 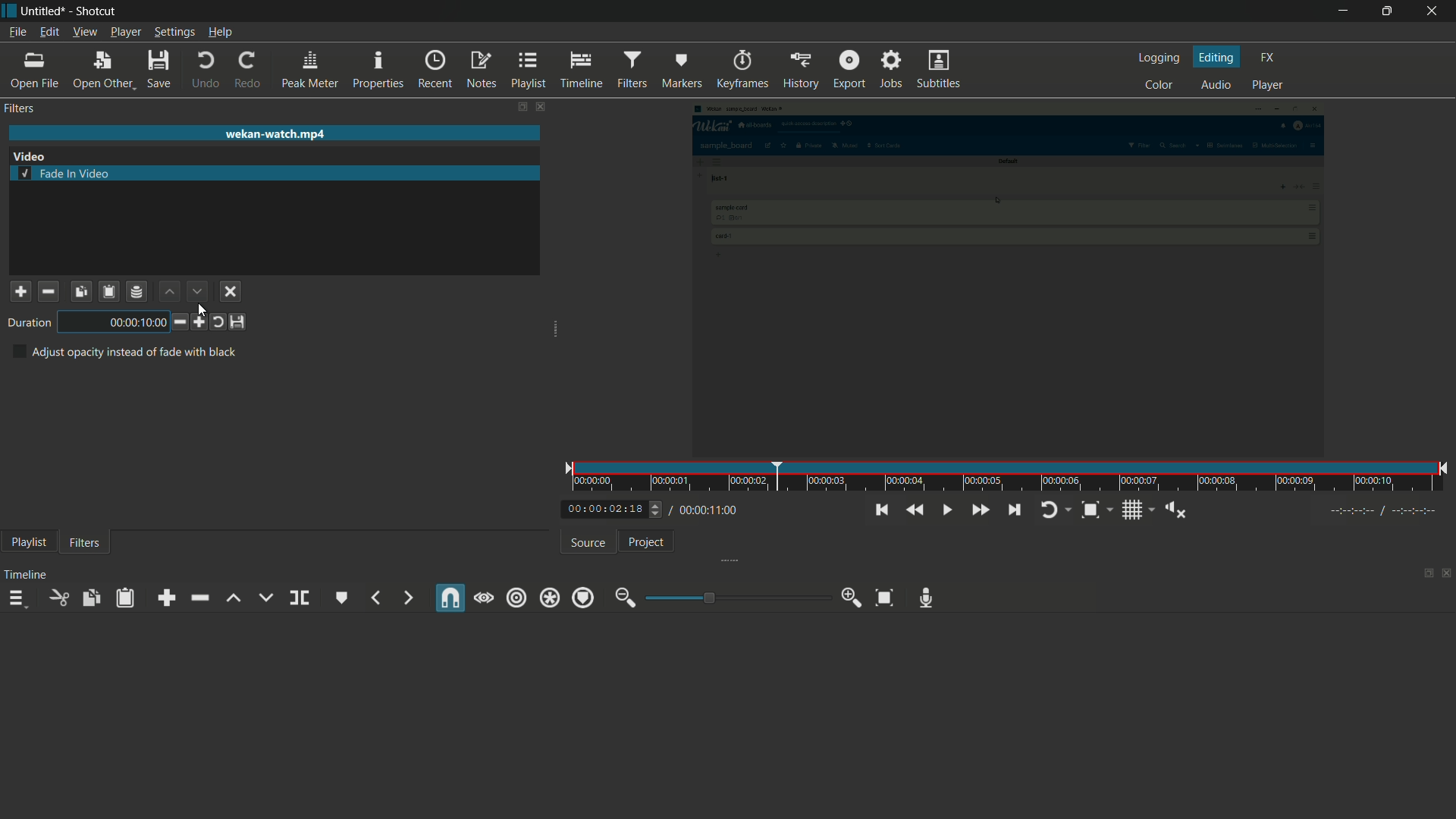 I want to click on zoom timeline to fit, so click(x=885, y=597).